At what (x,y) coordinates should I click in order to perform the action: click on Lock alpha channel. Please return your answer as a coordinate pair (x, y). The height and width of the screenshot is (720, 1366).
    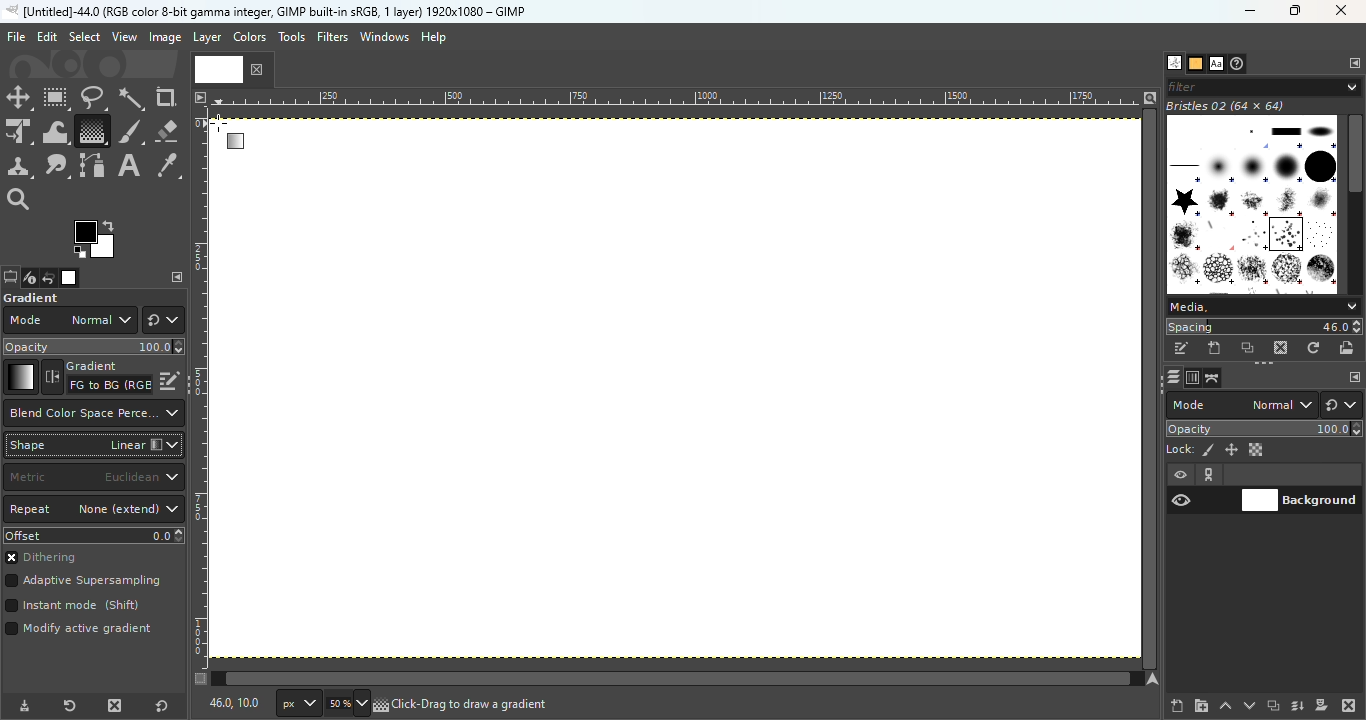
    Looking at the image, I should click on (1258, 450).